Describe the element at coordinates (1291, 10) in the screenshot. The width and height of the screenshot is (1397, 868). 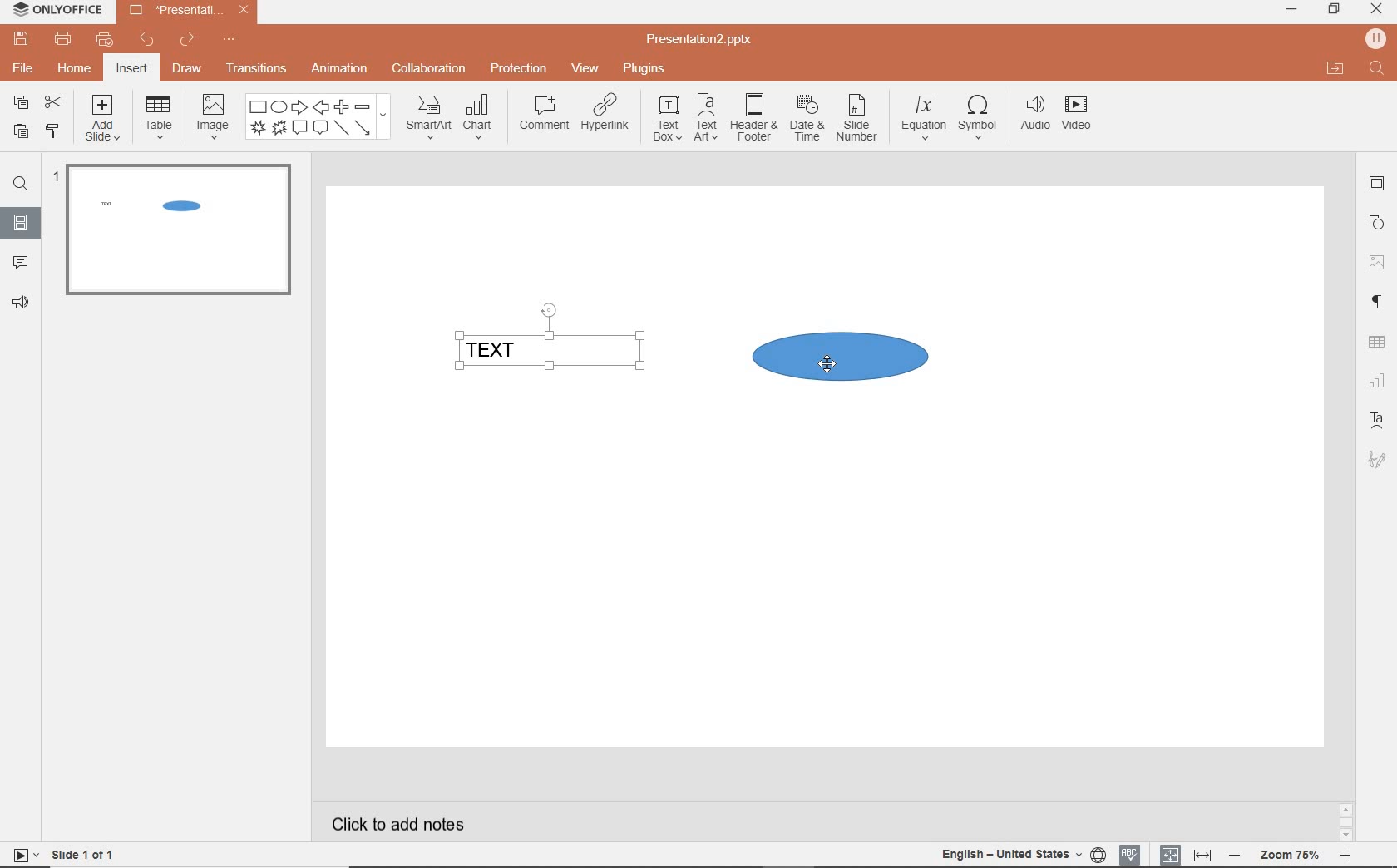
I see `minimize` at that location.